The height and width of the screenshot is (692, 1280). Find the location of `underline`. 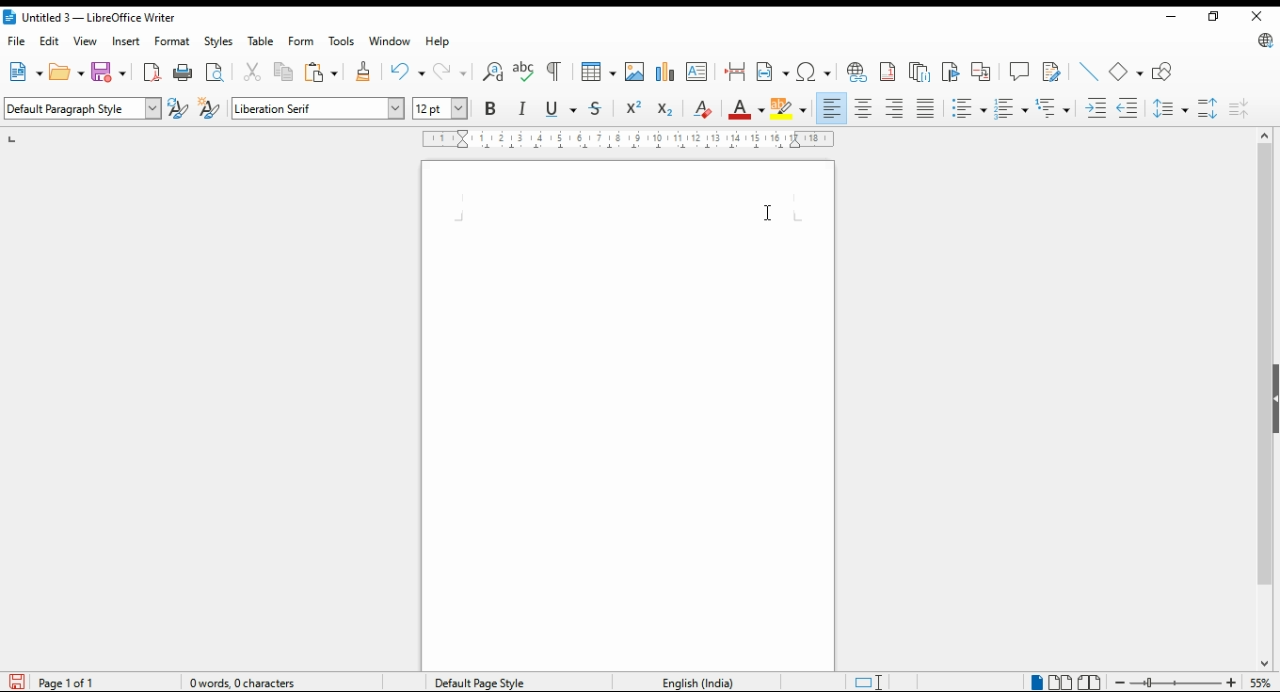

underline is located at coordinates (561, 109).